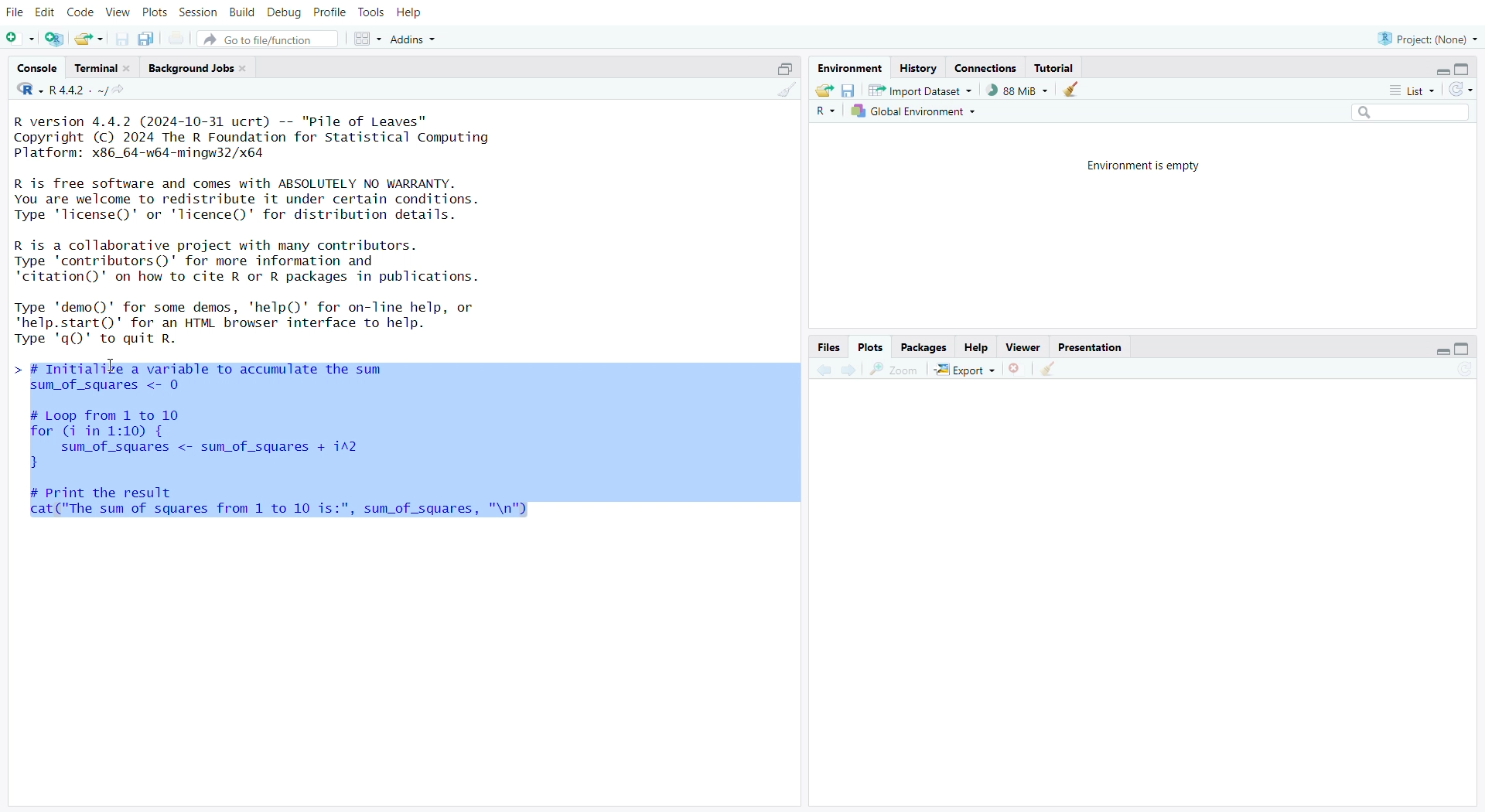  What do you see at coordinates (20, 40) in the screenshot?
I see `new script` at bounding box center [20, 40].